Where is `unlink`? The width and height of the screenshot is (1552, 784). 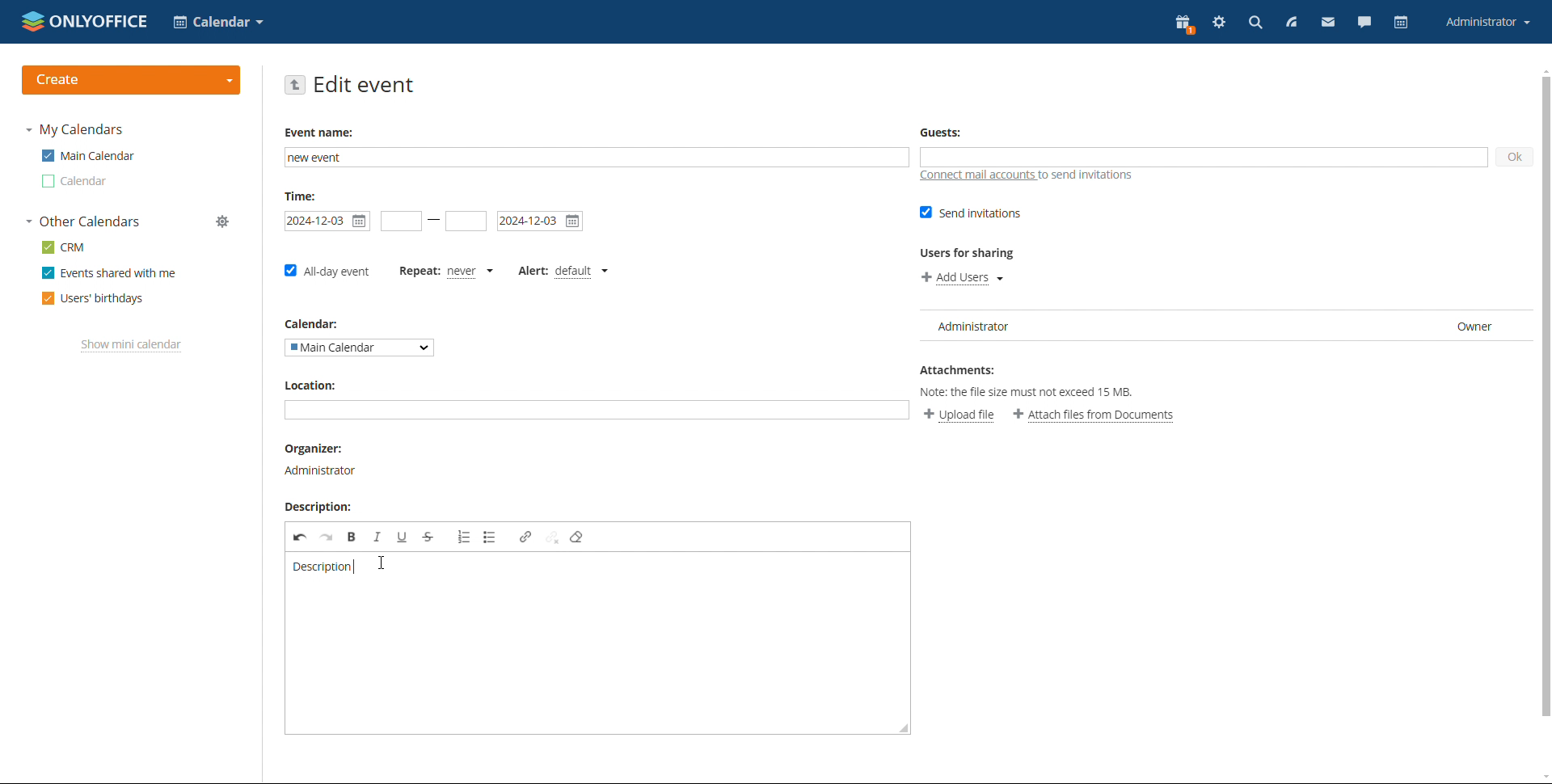 unlink is located at coordinates (553, 537).